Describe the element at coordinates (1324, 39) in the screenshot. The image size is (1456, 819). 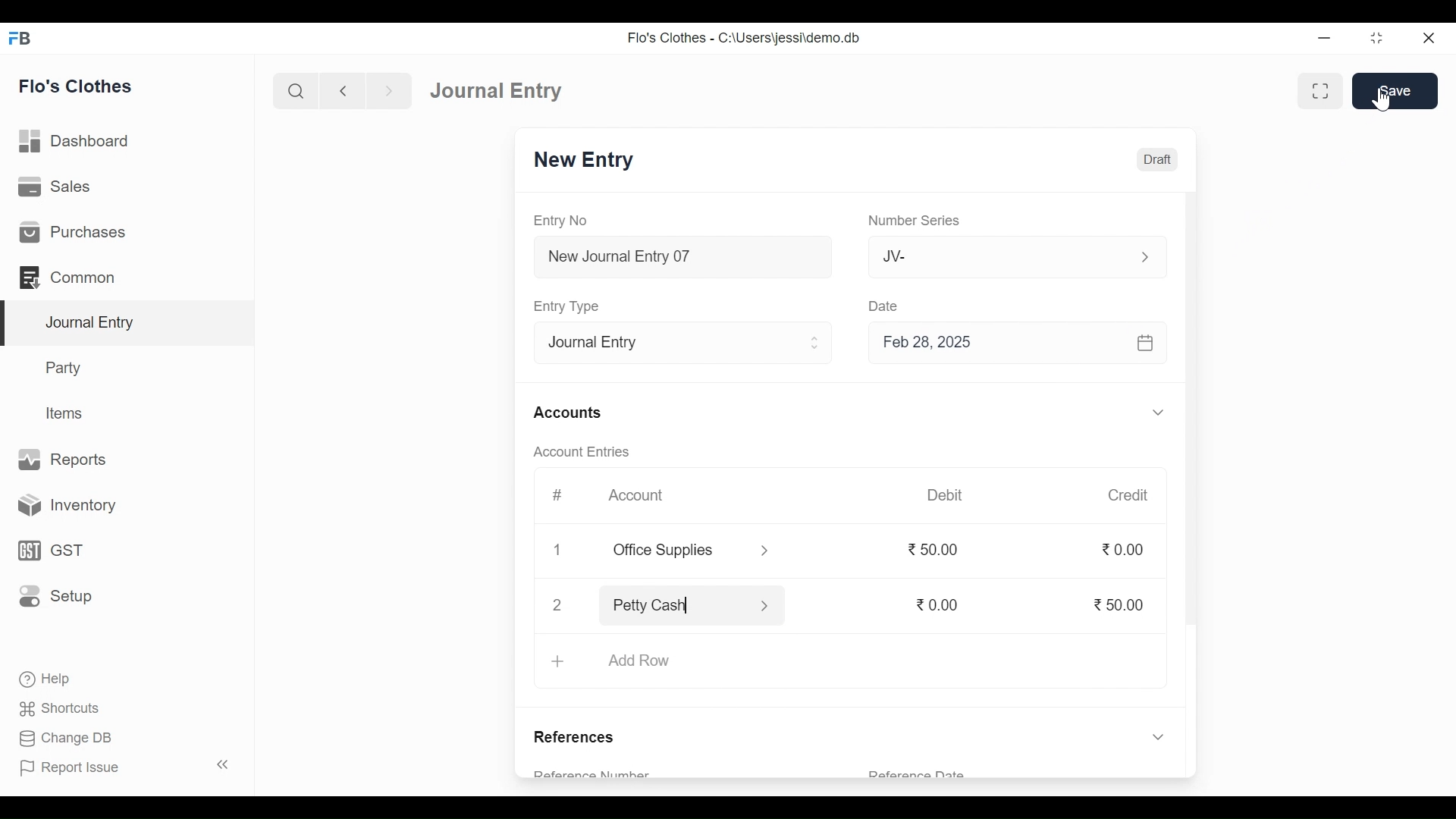
I see `minimize` at that location.